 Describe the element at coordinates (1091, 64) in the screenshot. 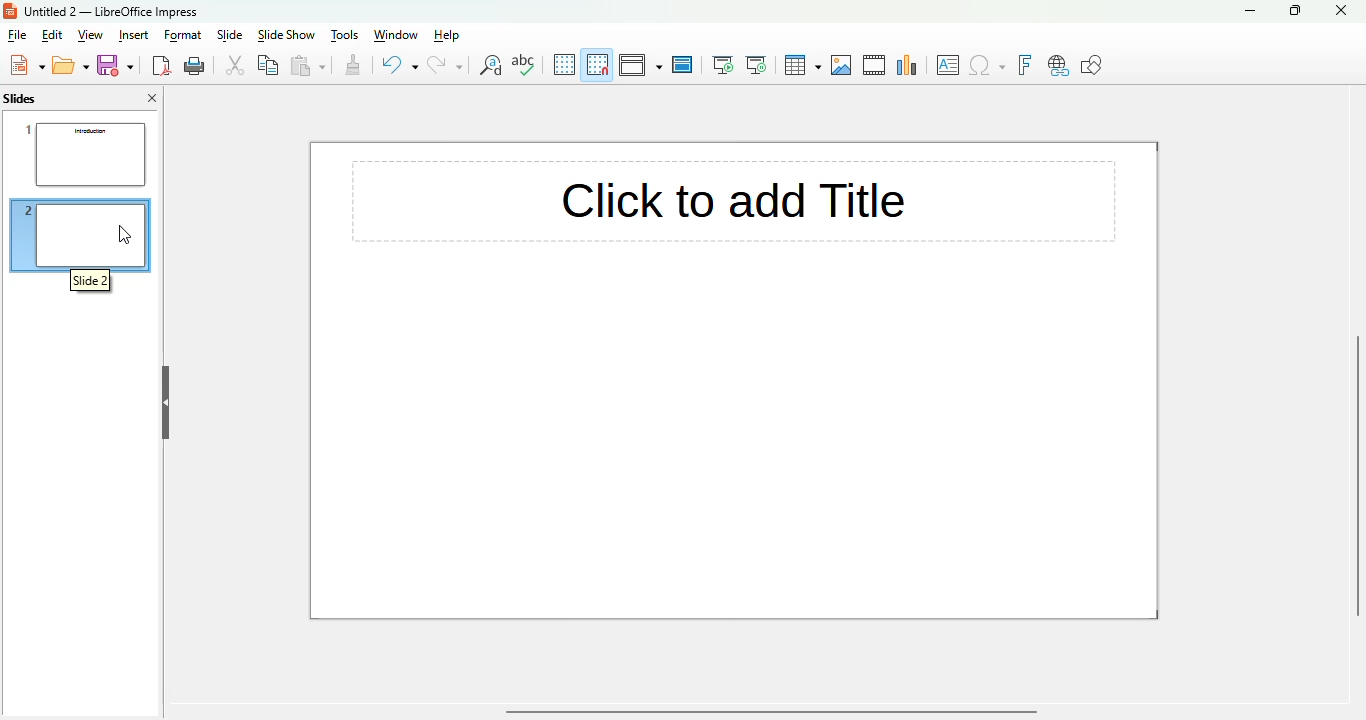

I see `show draw functions` at that location.